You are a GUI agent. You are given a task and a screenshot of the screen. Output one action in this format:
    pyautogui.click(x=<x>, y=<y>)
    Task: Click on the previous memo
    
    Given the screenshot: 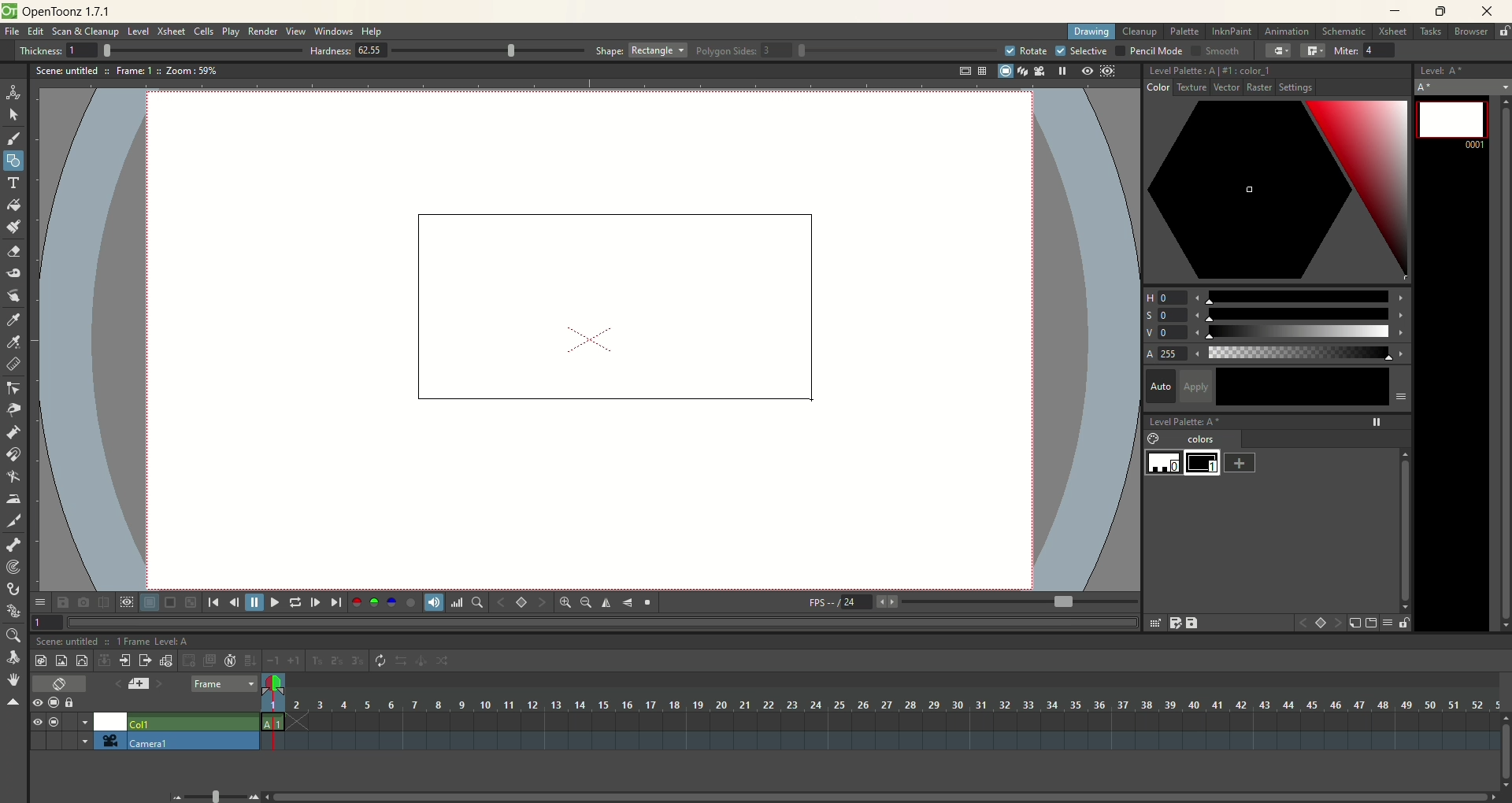 What is the action you would take?
    pyautogui.click(x=114, y=682)
    